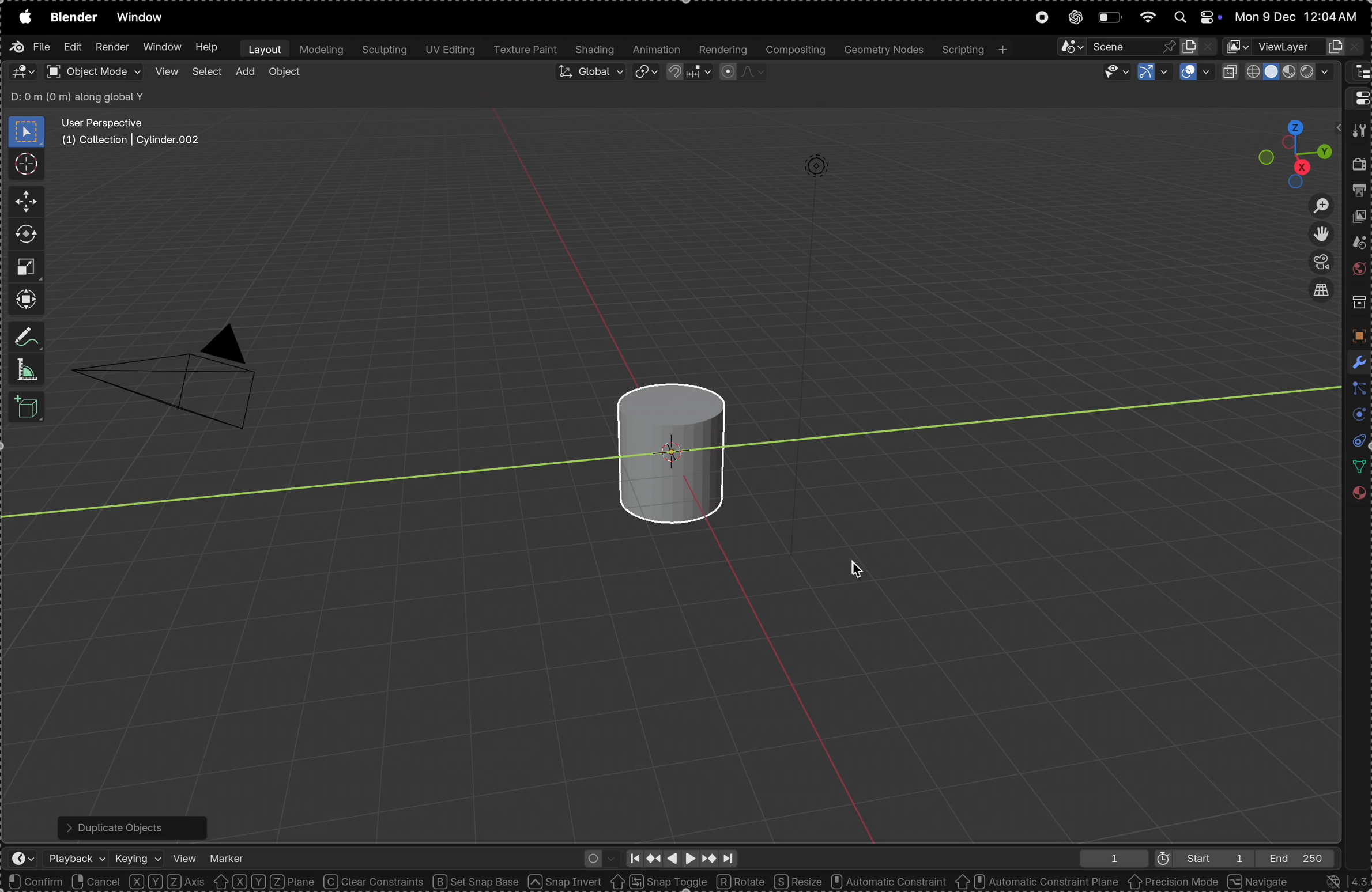  What do you see at coordinates (1320, 294) in the screenshot?
I see `select current views` at bounding box center [1320, 294].